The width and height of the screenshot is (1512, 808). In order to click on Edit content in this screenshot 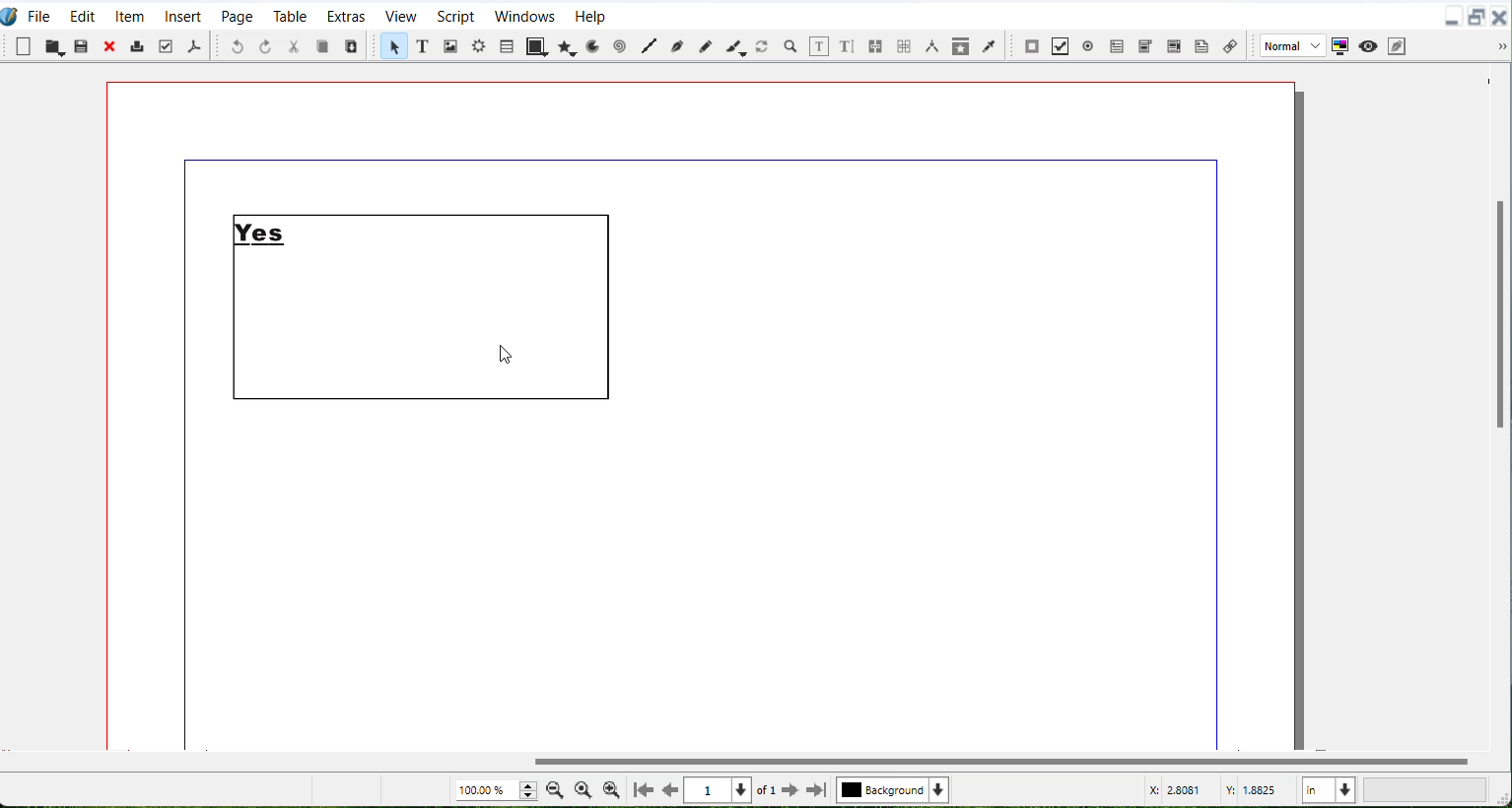, I will do `click(820, 45)`.